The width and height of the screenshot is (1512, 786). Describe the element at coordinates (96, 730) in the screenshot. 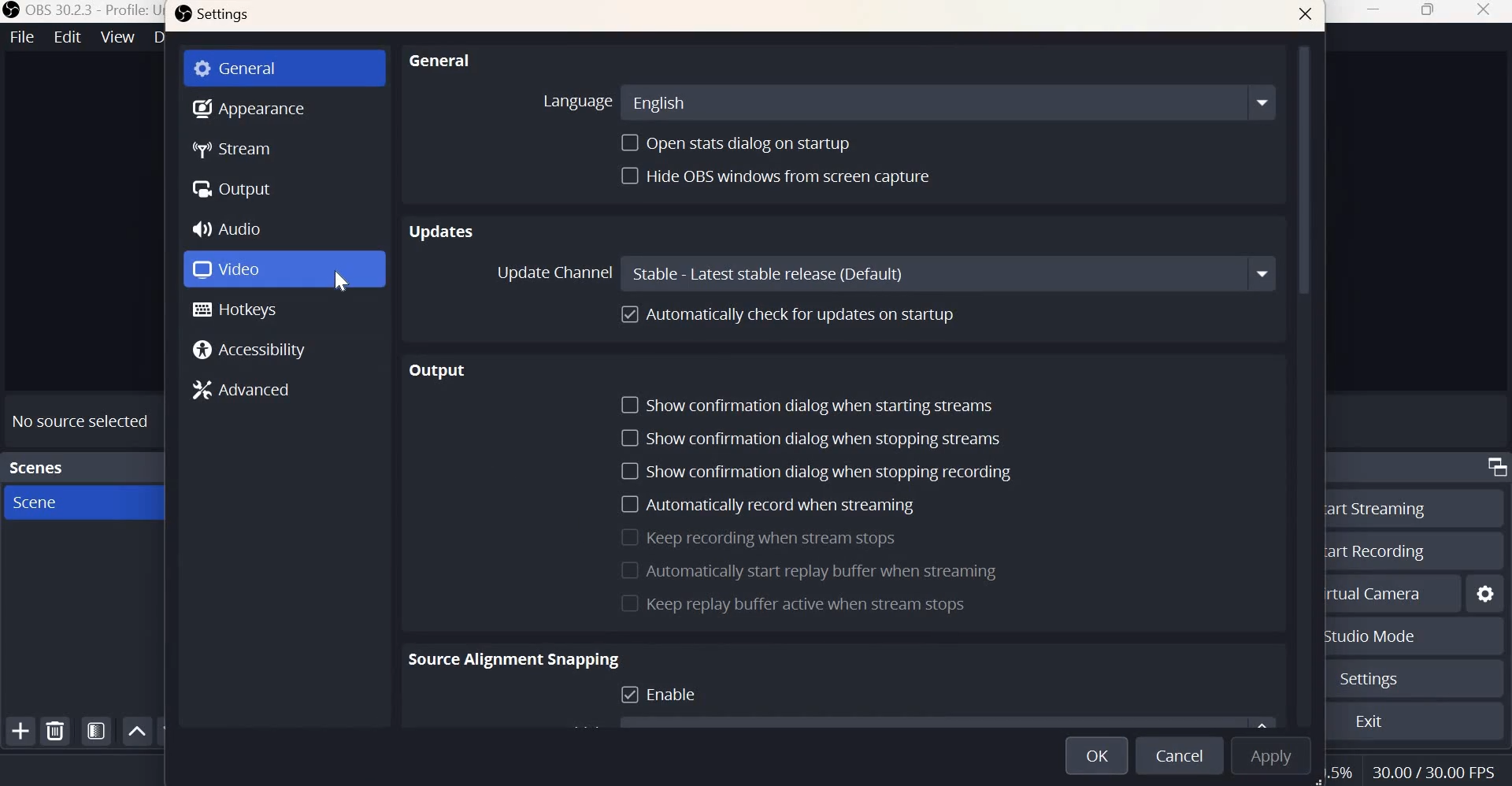

I see `Open scene filters` at that location.